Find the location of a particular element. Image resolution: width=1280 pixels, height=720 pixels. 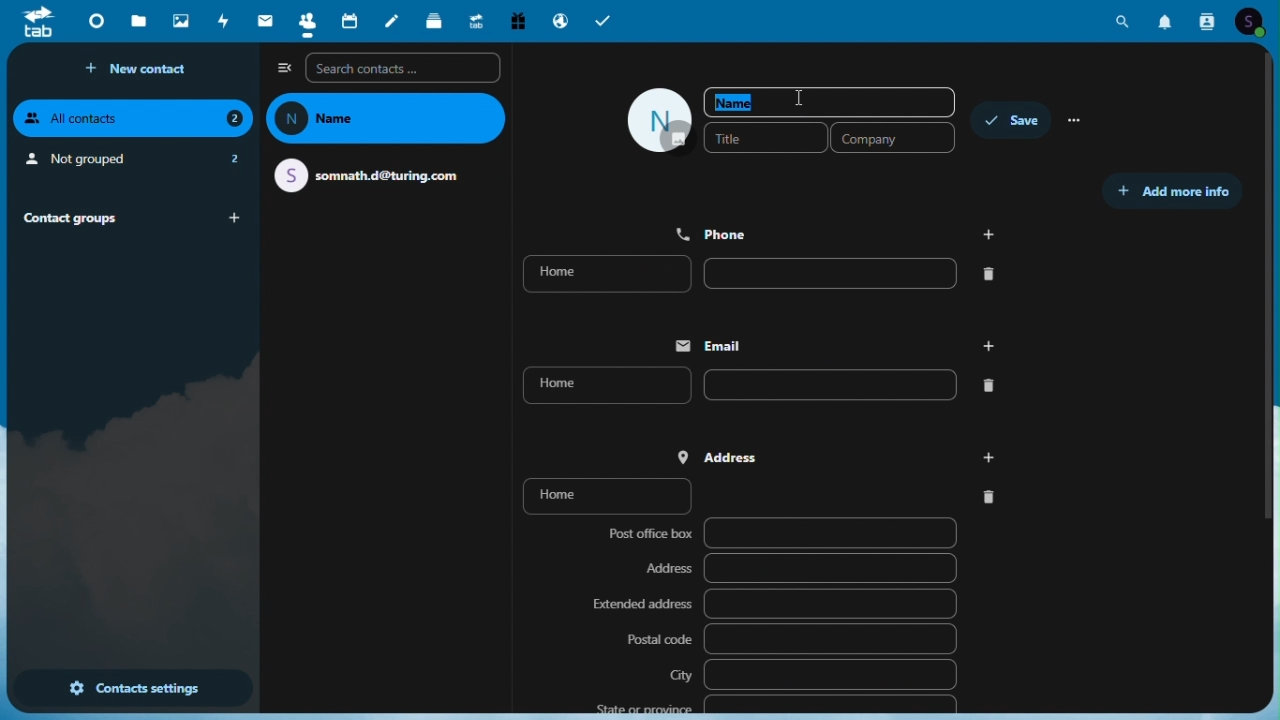

Search is located at coordinates (1126, 21).